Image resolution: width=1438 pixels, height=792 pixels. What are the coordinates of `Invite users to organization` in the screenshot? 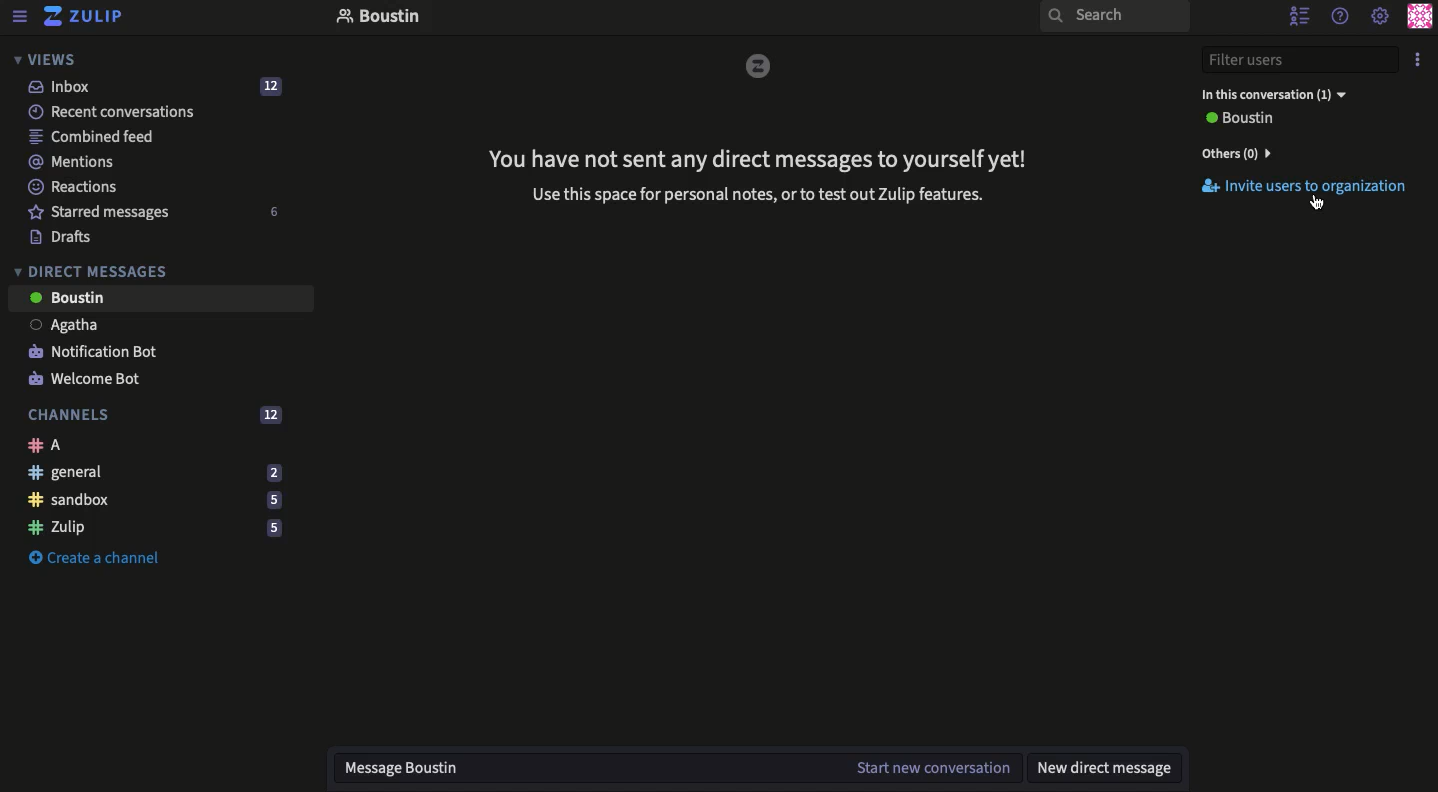 It's located at (1293, 187).